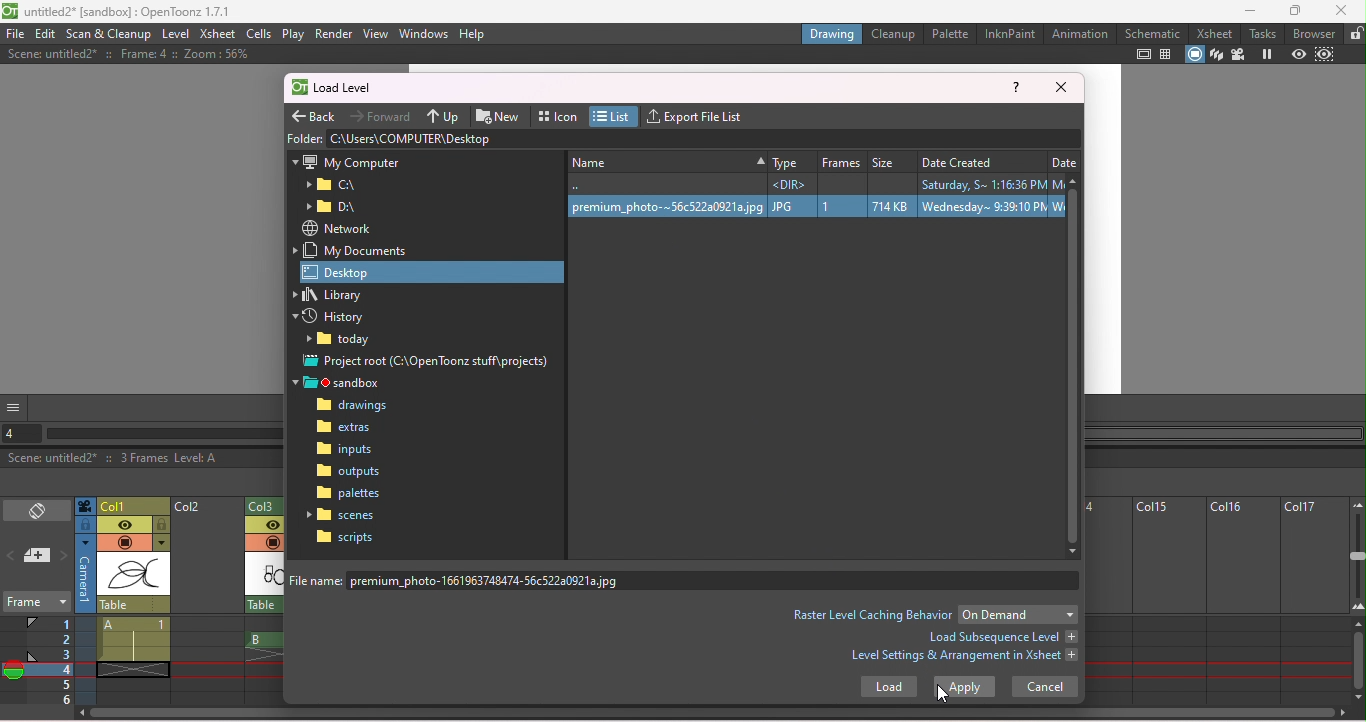 This screenshot has height=722, width=1366. What do you see at coordinates (1358, 555) in the screenshot?
I see `zoom in/out` at bounding box center [1358, 555].